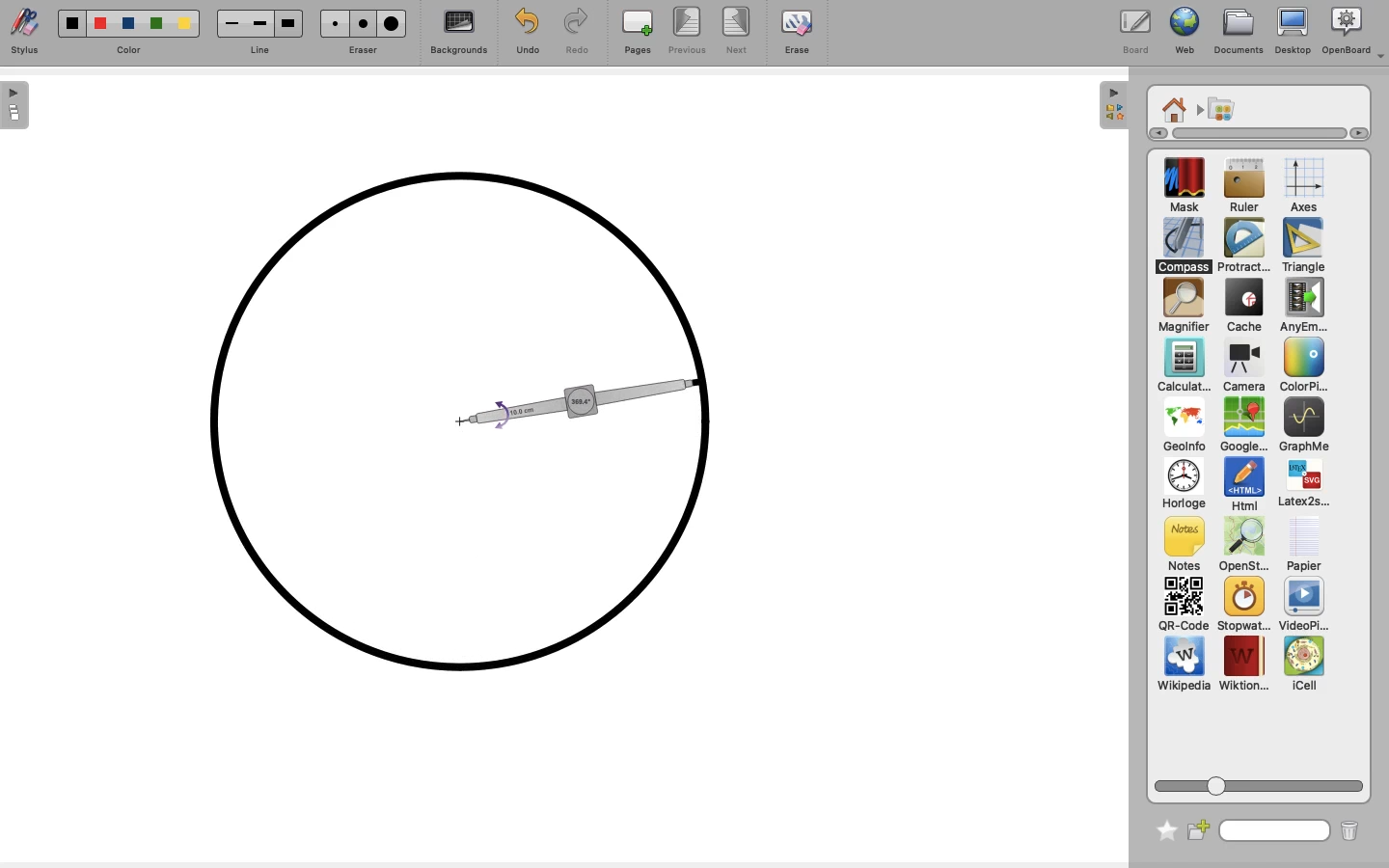  What do you see at coordinates (1242, 606) in the screenshot?
I see `Stopwatch` at bounding box center [1242, 606].